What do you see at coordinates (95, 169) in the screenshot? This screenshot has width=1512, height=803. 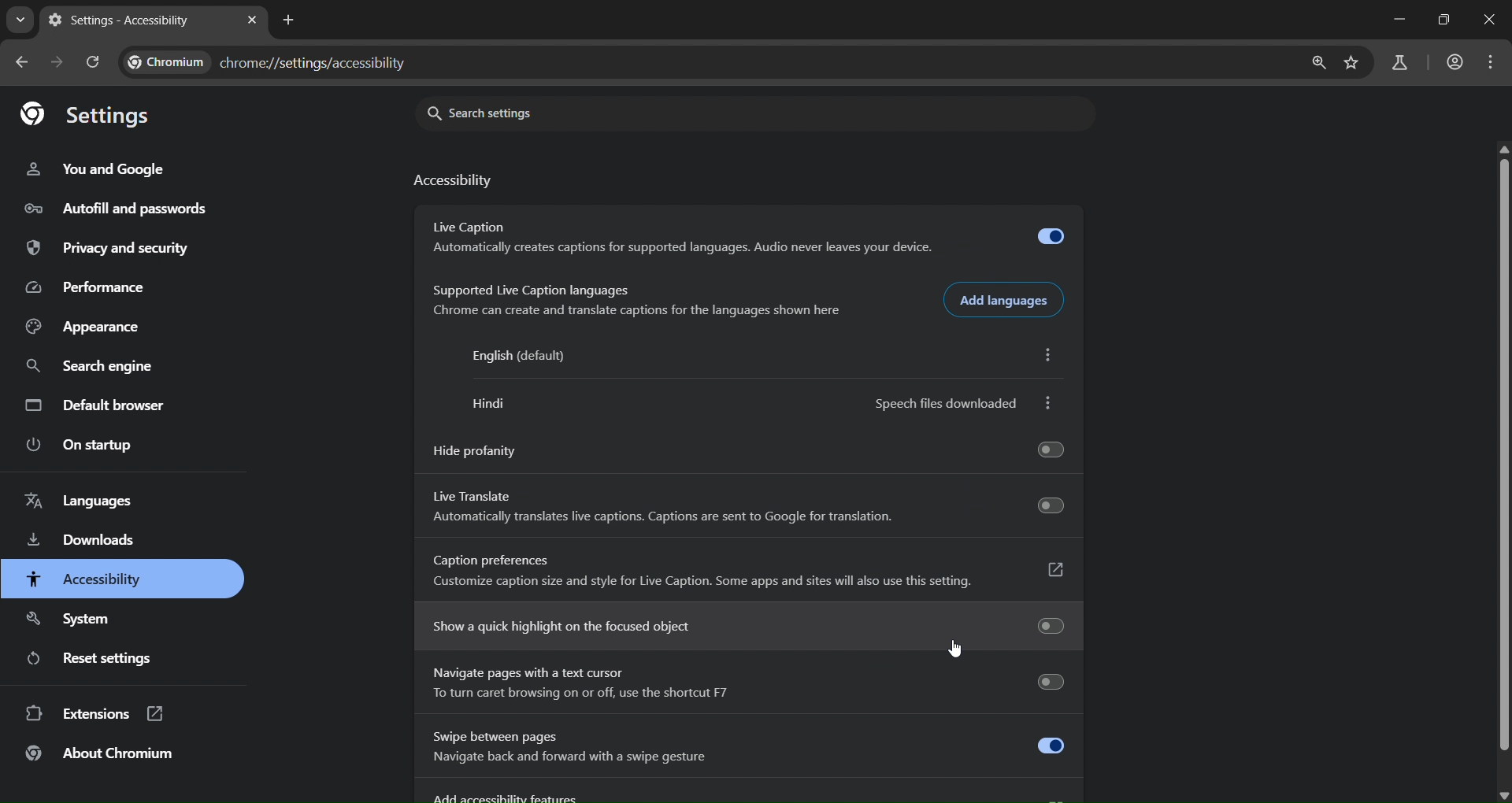 I see `you and google` at bounding box center [95, 169].